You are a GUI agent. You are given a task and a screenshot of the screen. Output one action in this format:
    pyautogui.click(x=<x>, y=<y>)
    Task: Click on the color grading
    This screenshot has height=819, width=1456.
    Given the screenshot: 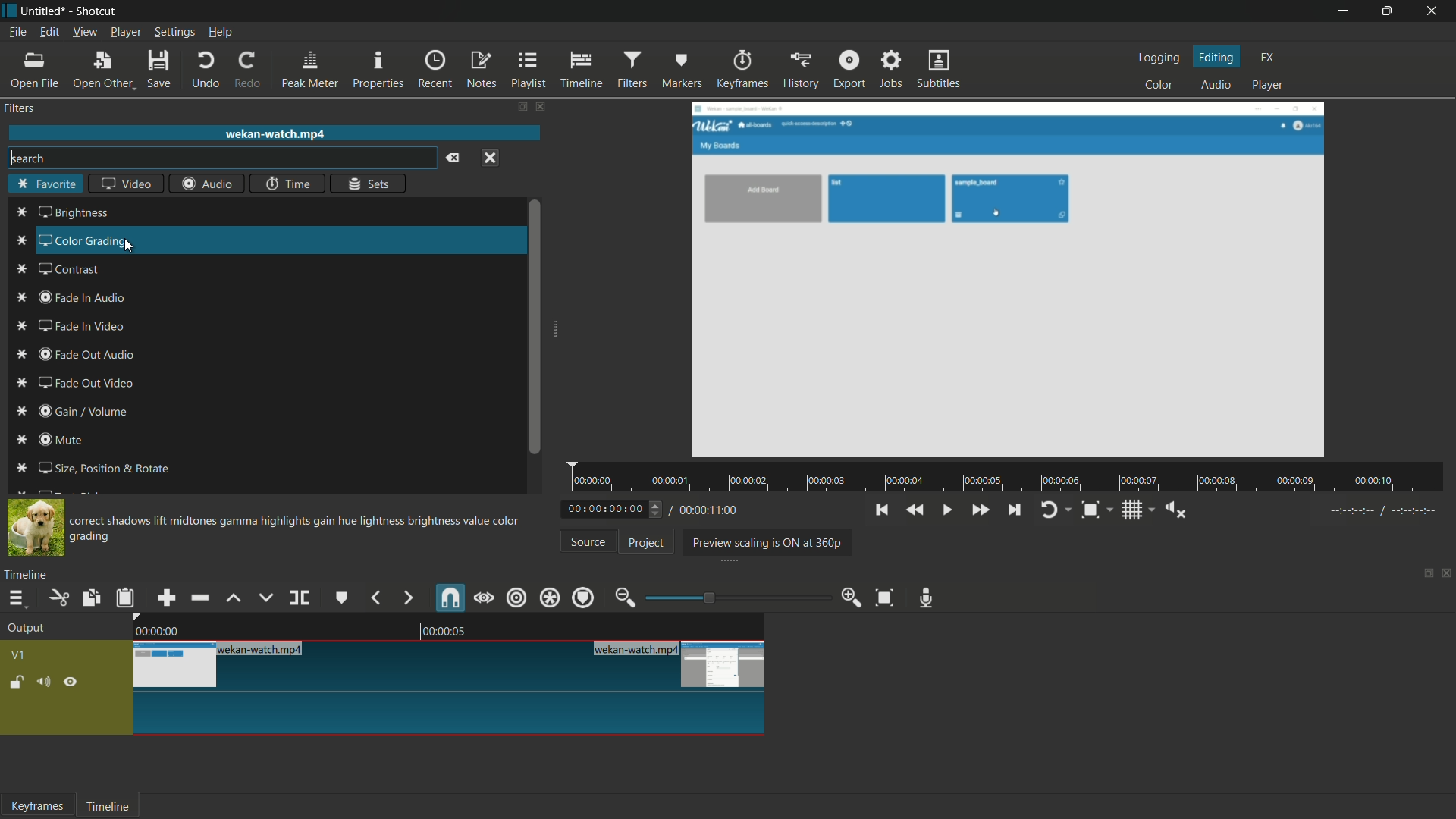 What is the action you would take?
    pyautogui.click(x=76, y=240)
    